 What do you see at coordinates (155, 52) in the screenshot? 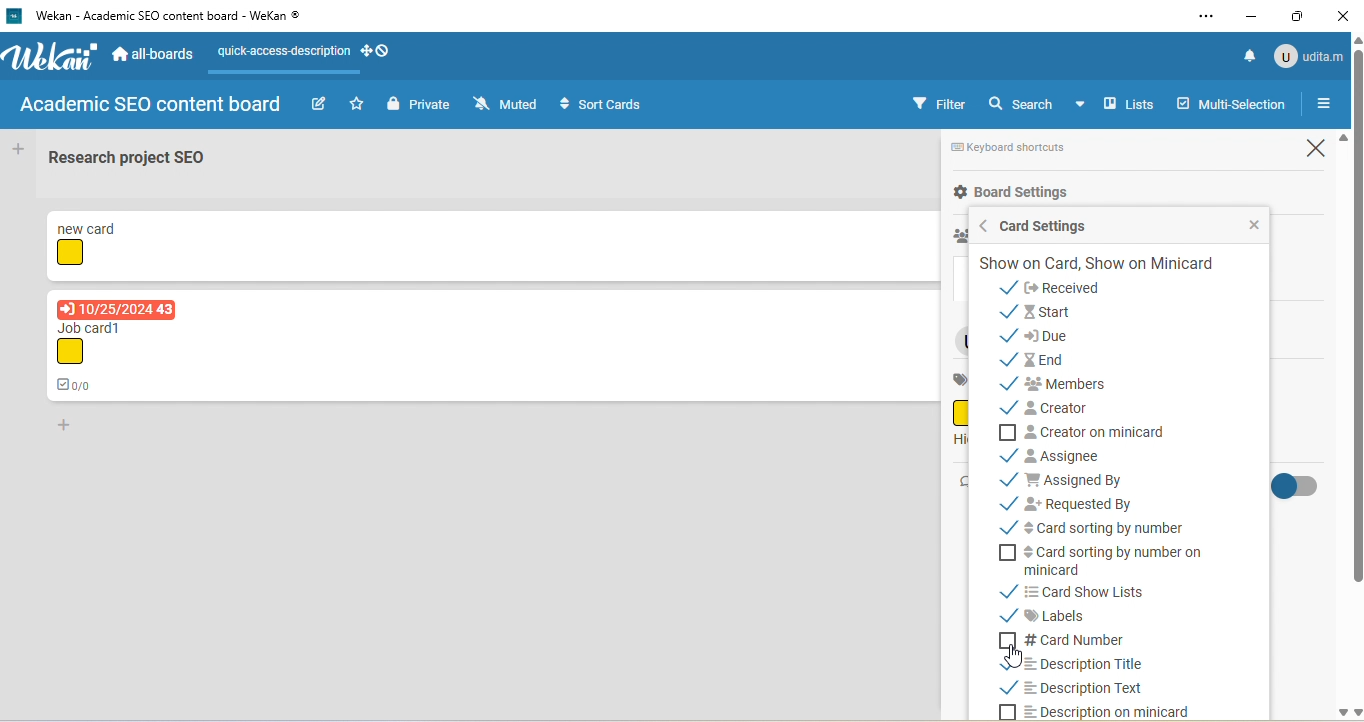
I see `all-boards` at bounding box center [155, 52].